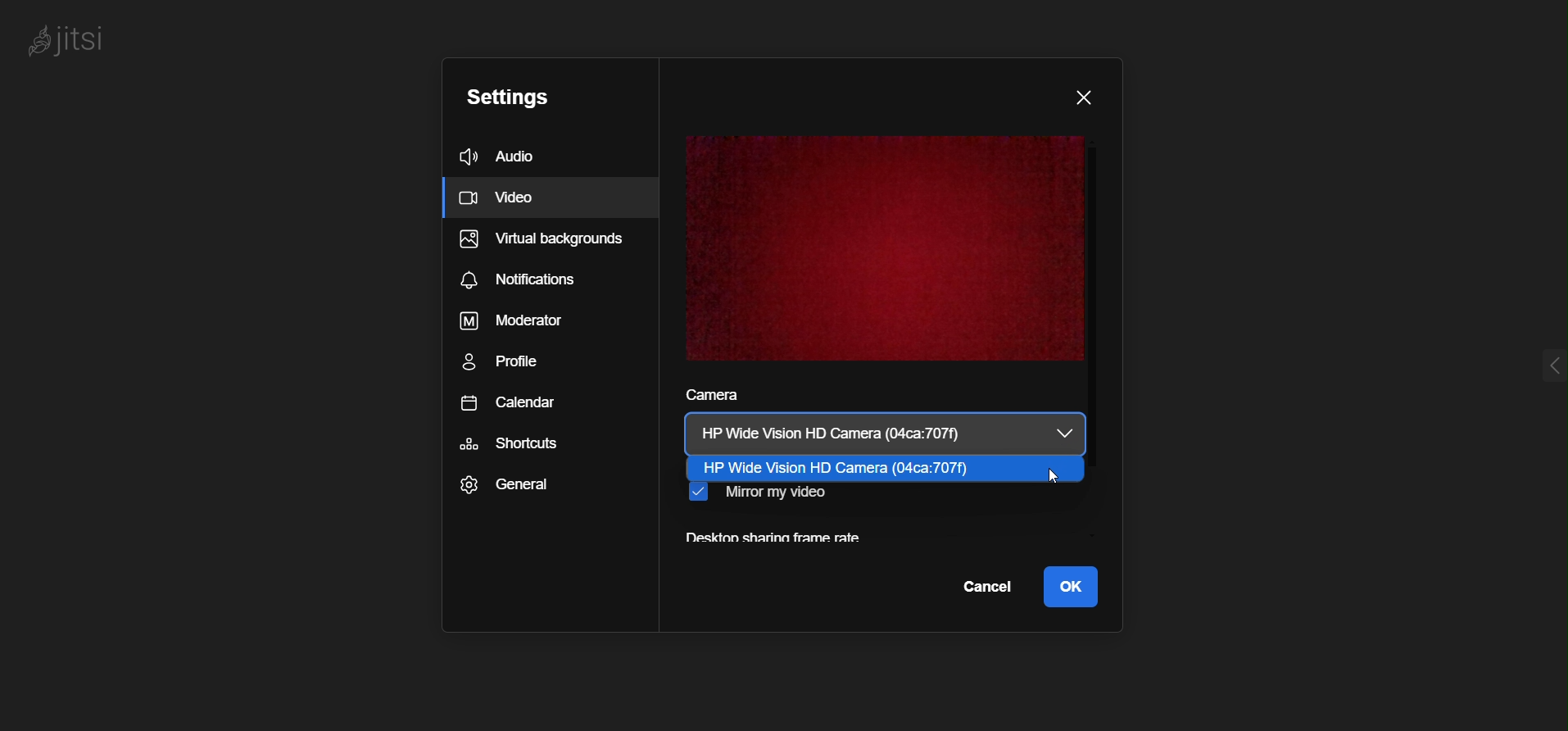 The image size is (1568, 731). I want to click on close, so click(1082, 95).